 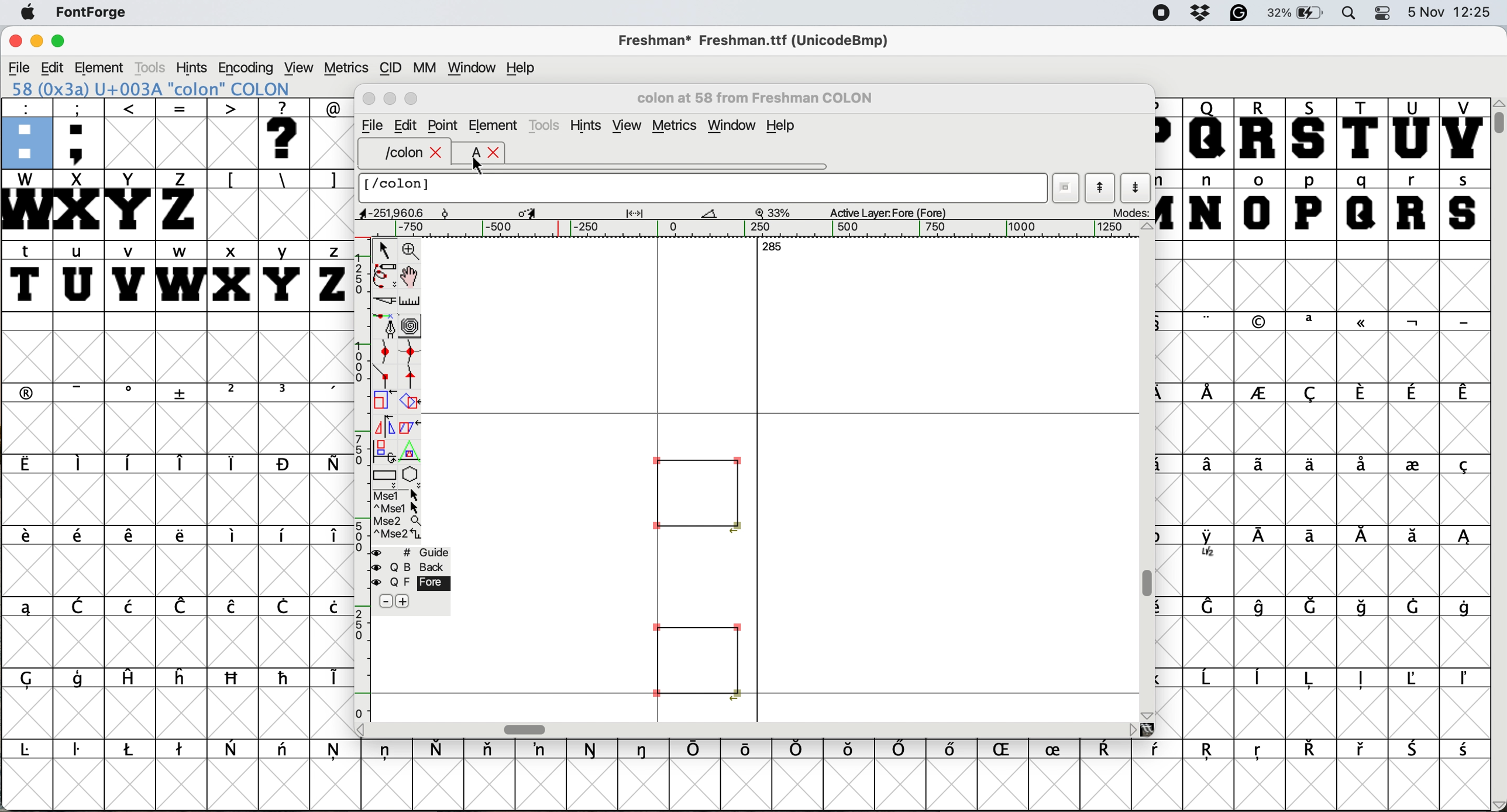 I want to click on flip the selection, so click(x=383, y=422).